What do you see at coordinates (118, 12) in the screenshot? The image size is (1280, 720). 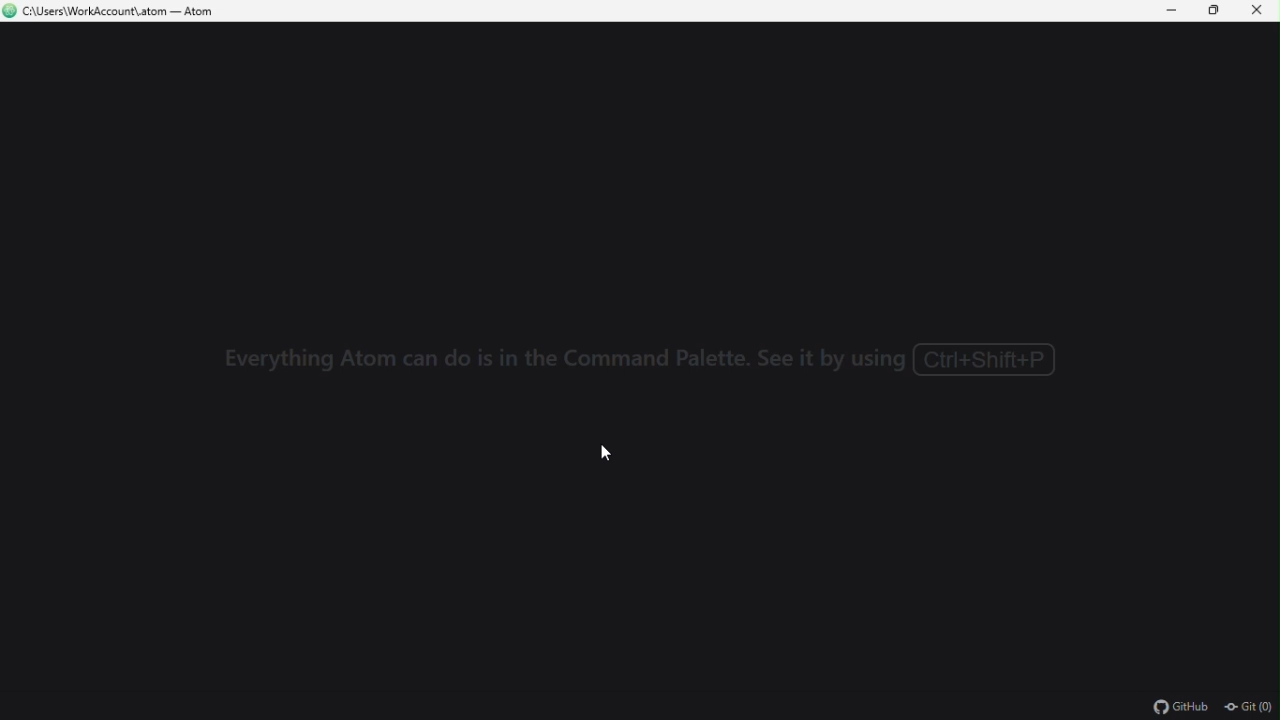 I see `C:\Users\WorkAccount\.atom — Atom` at bounding box center [118, 12].